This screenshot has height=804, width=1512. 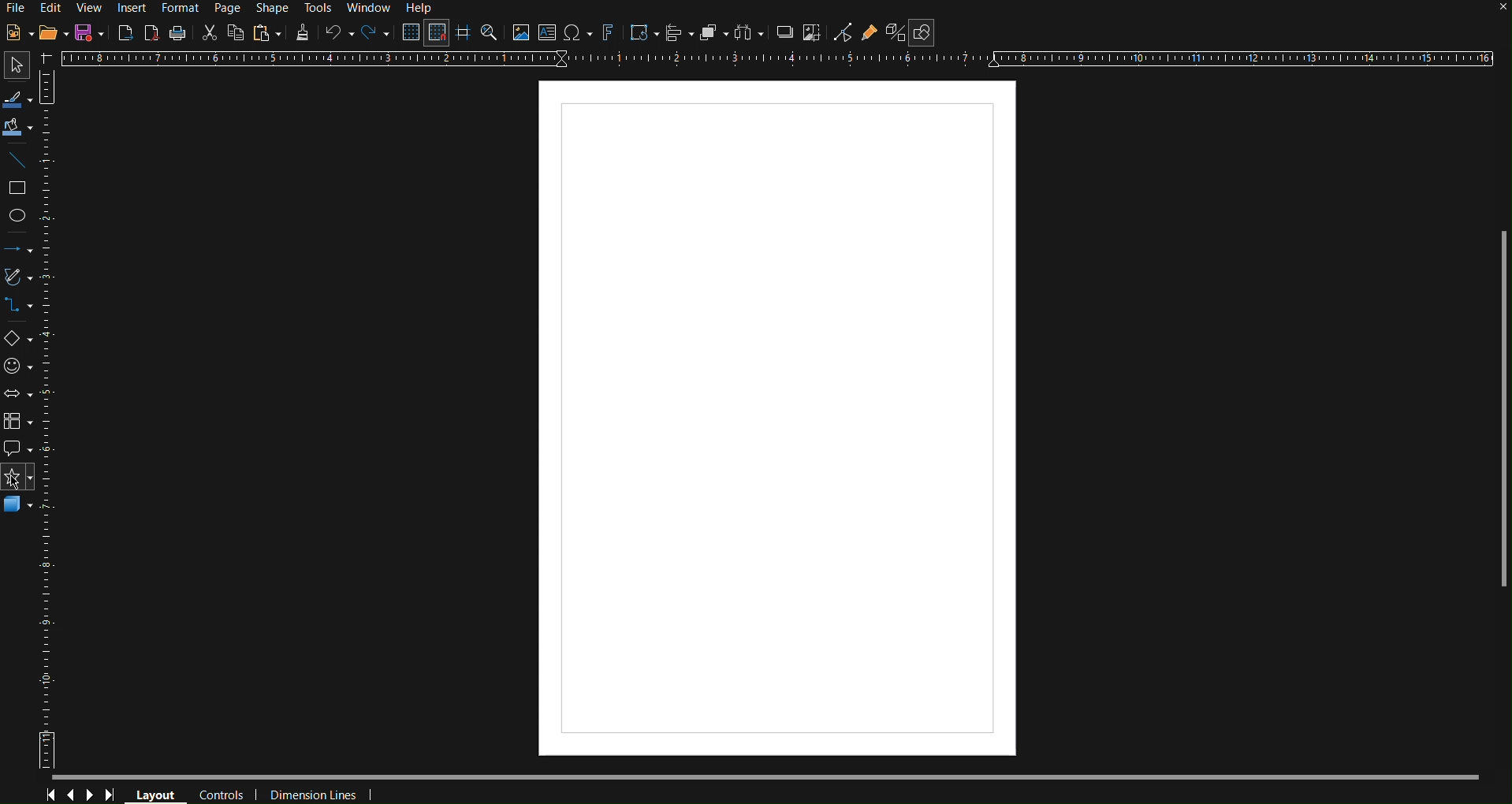 What do you see at coordinates (464, 34) in the screenshot?
I see `Guidelines while moving` at bounding box center [464, 34].